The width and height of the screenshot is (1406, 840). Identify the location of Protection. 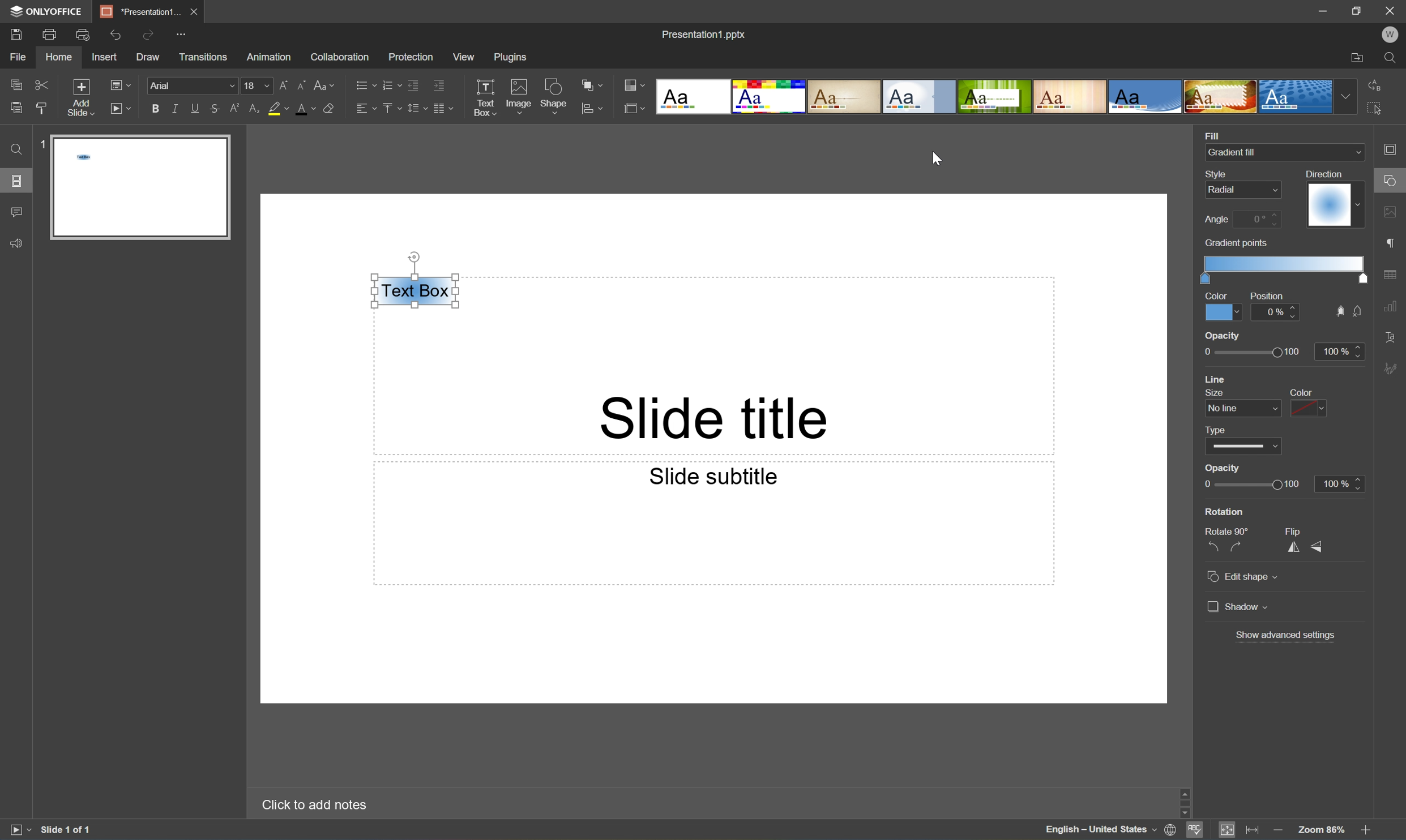
(412, 57).